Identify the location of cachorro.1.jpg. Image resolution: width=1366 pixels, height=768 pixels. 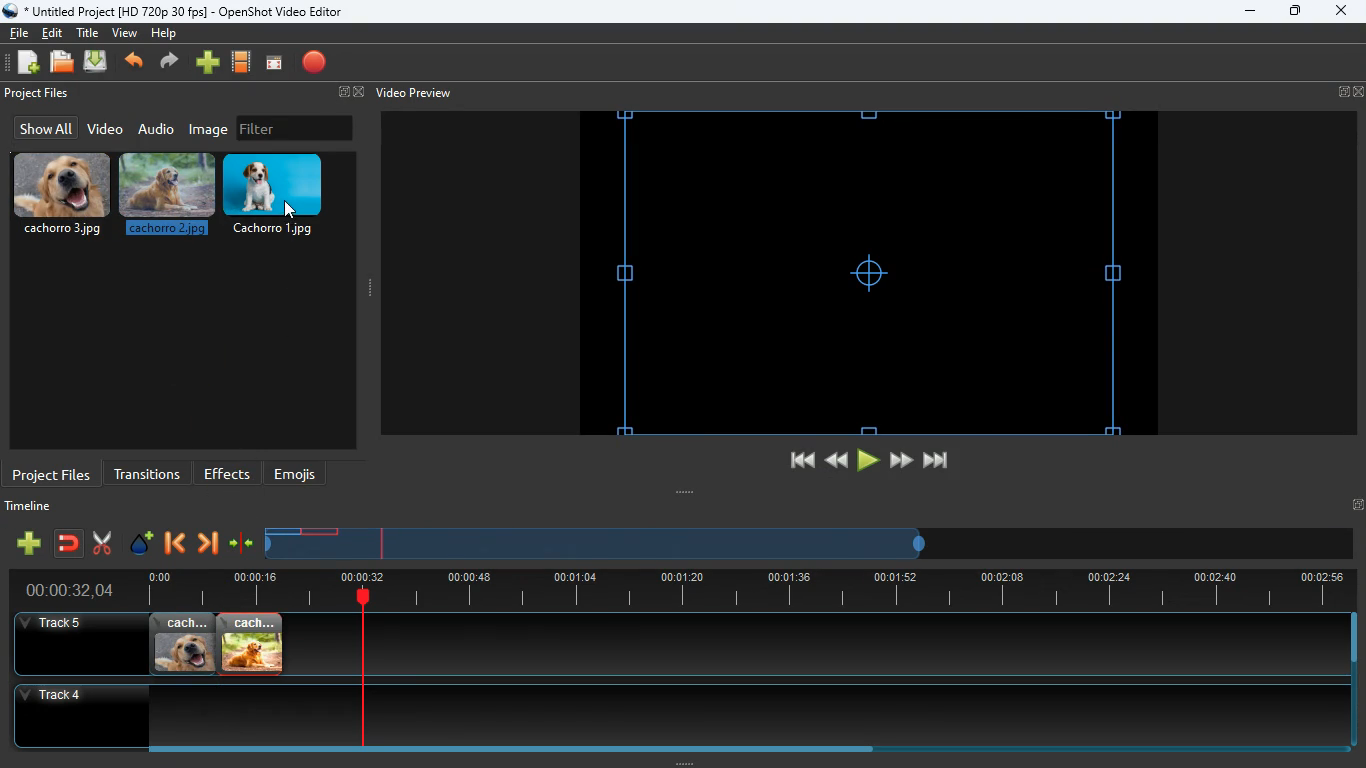
(281, 195).